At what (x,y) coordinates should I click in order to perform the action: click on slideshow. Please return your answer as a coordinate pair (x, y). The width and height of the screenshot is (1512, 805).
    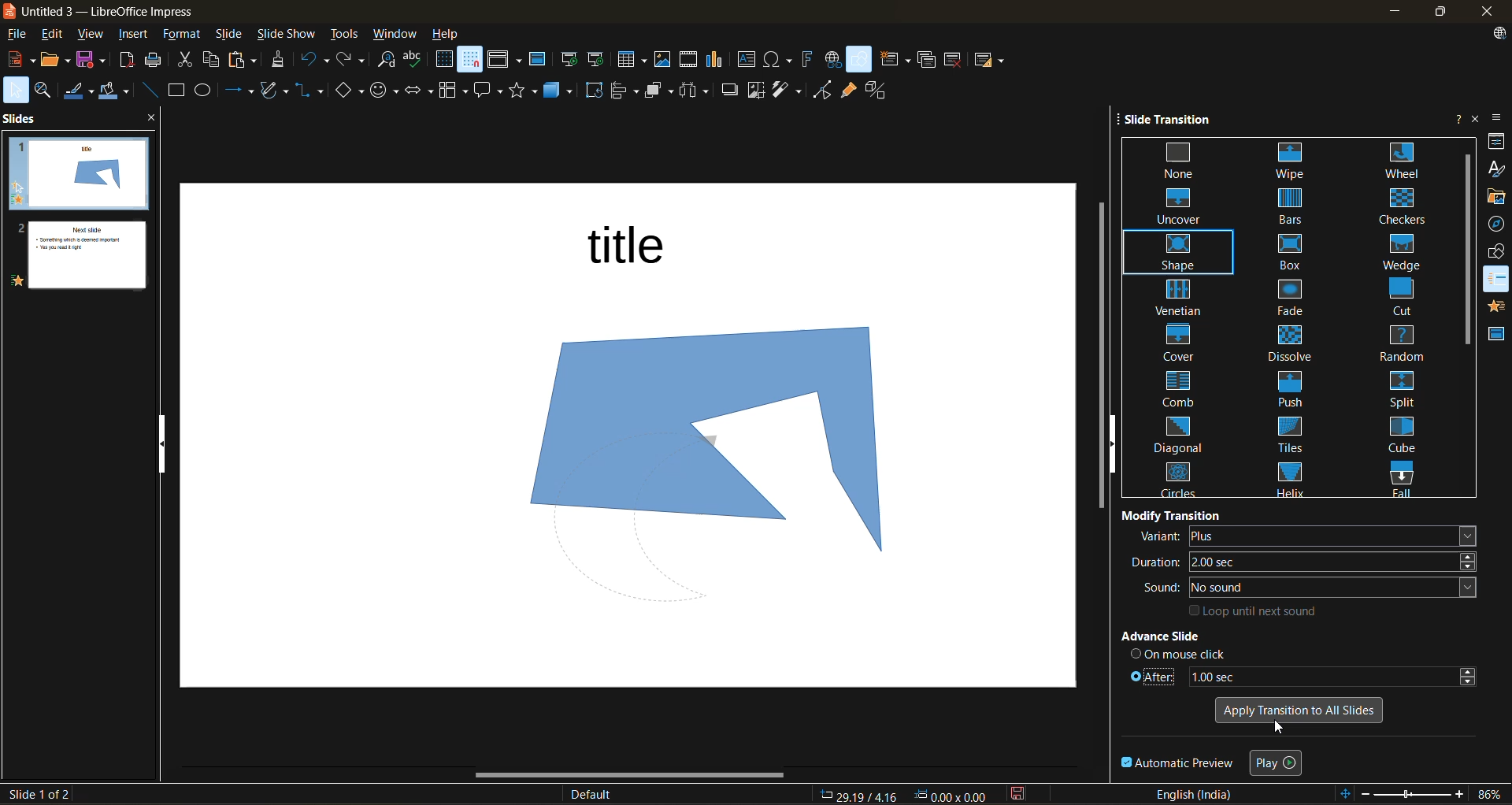
    Looking at the image, I should click on (289, 33).